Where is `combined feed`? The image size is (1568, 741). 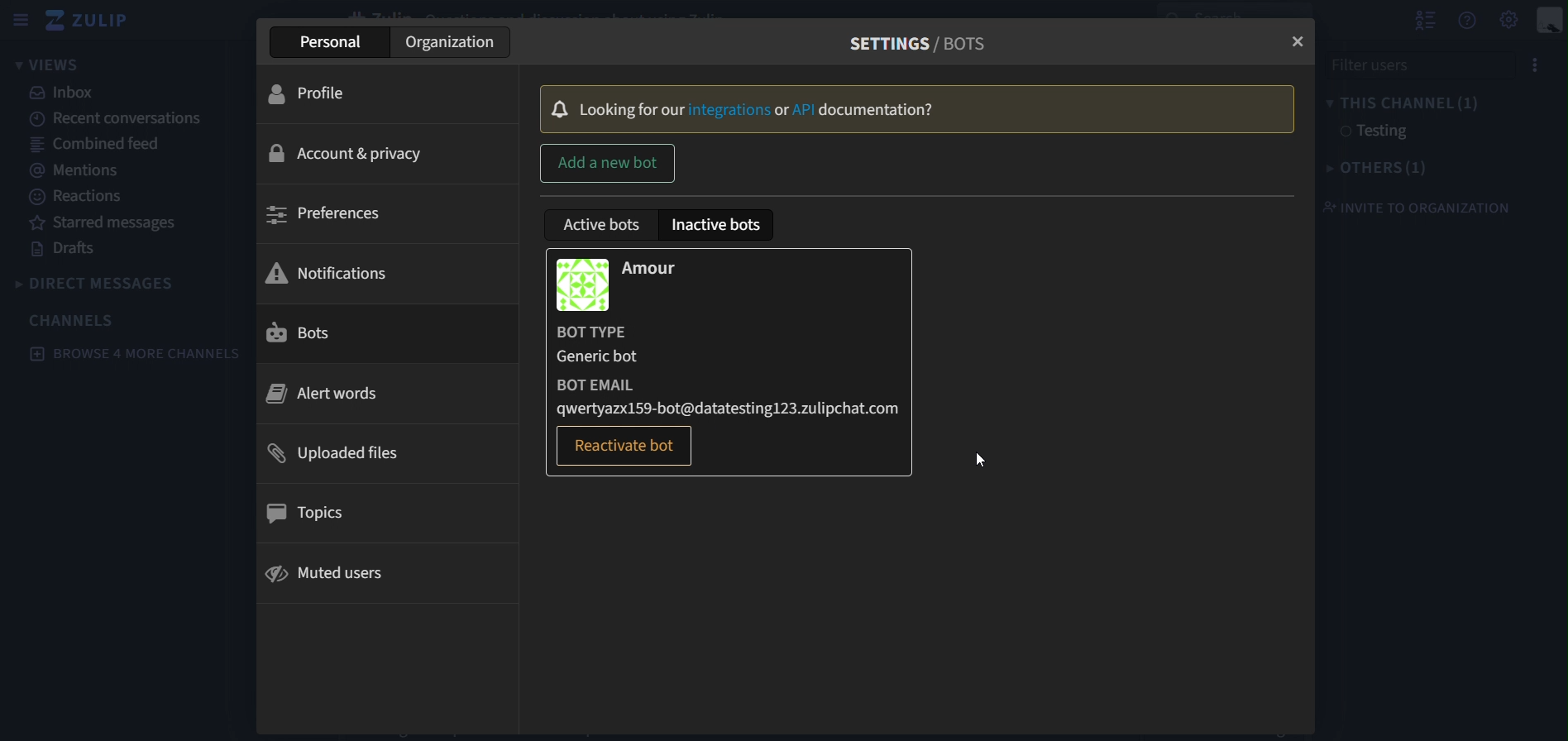 combined feed is located at coordinates (95, 142).